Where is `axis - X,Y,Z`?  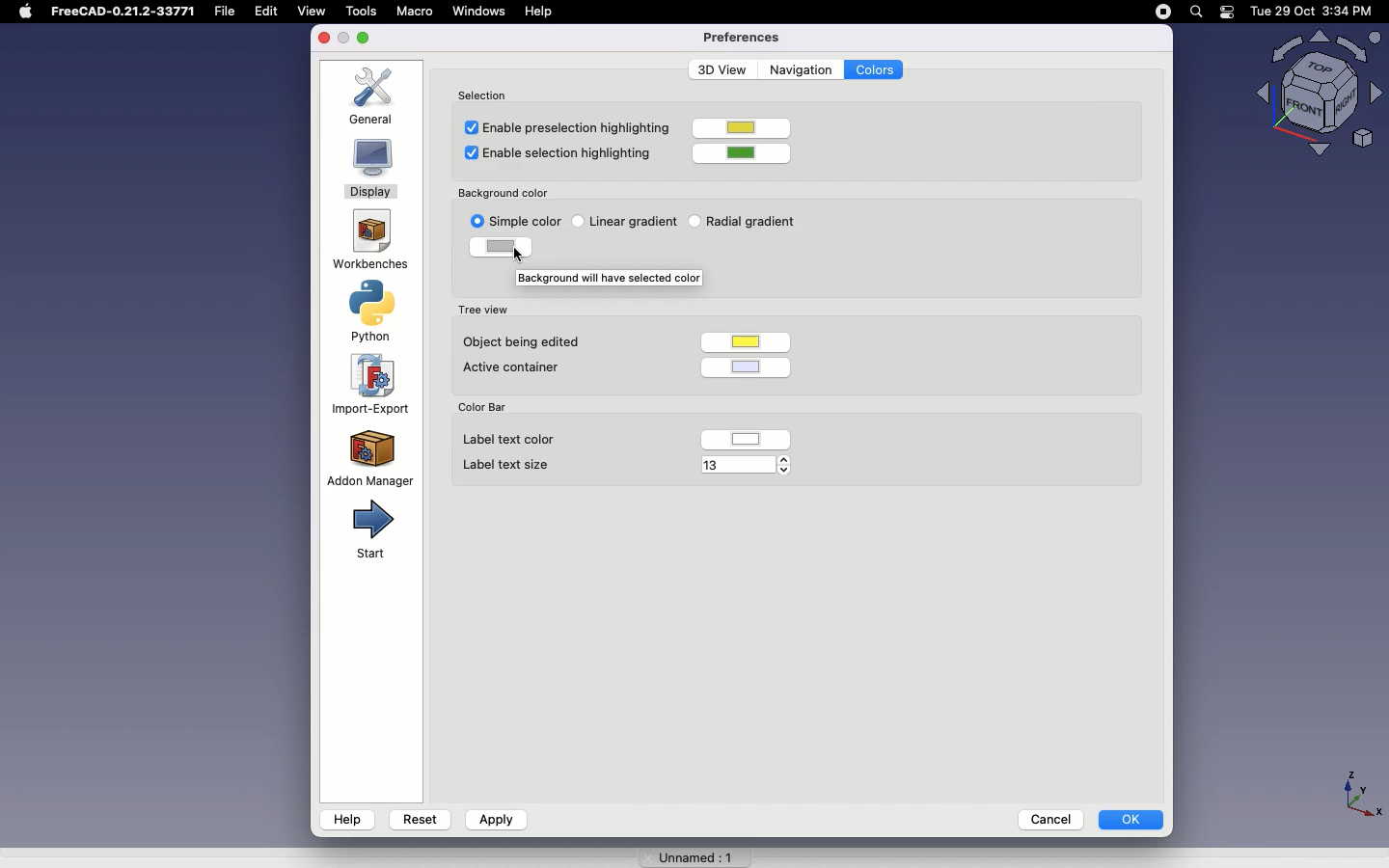 axis - X,Y,Z is located at coordinates (1359, 791).